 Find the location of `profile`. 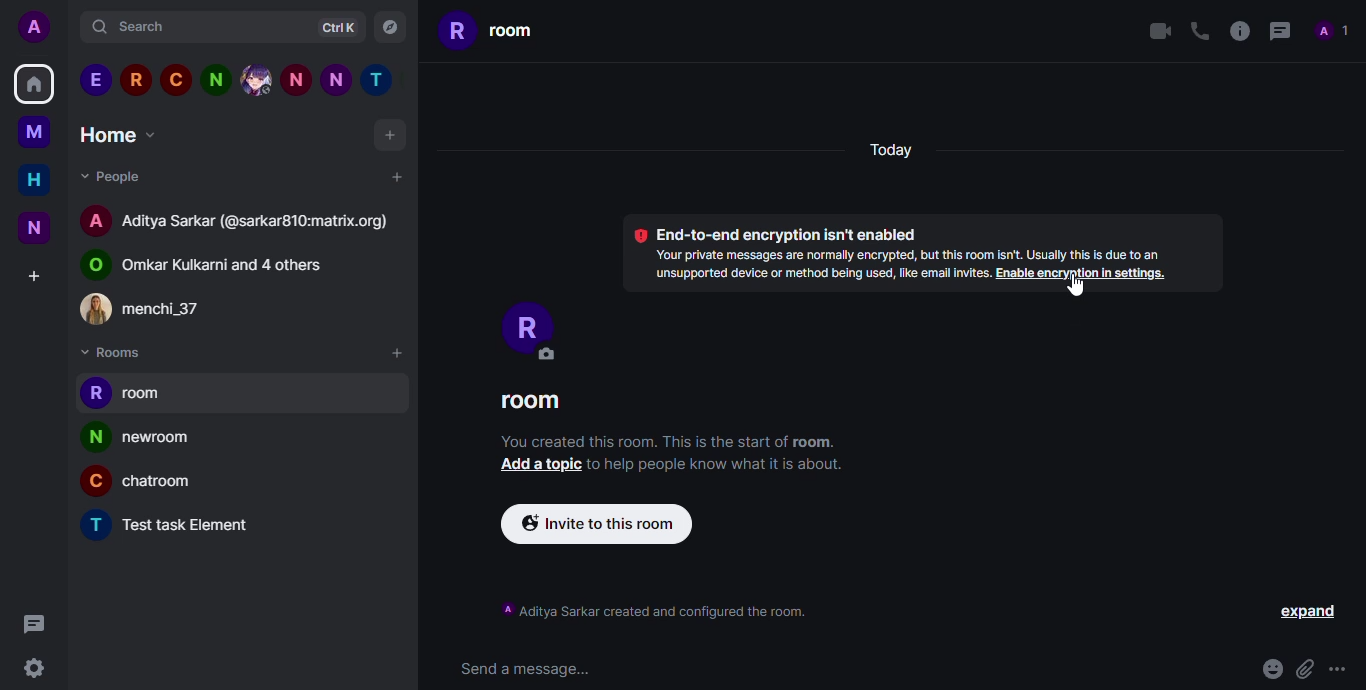

profile is located at coordinates (96, 219).